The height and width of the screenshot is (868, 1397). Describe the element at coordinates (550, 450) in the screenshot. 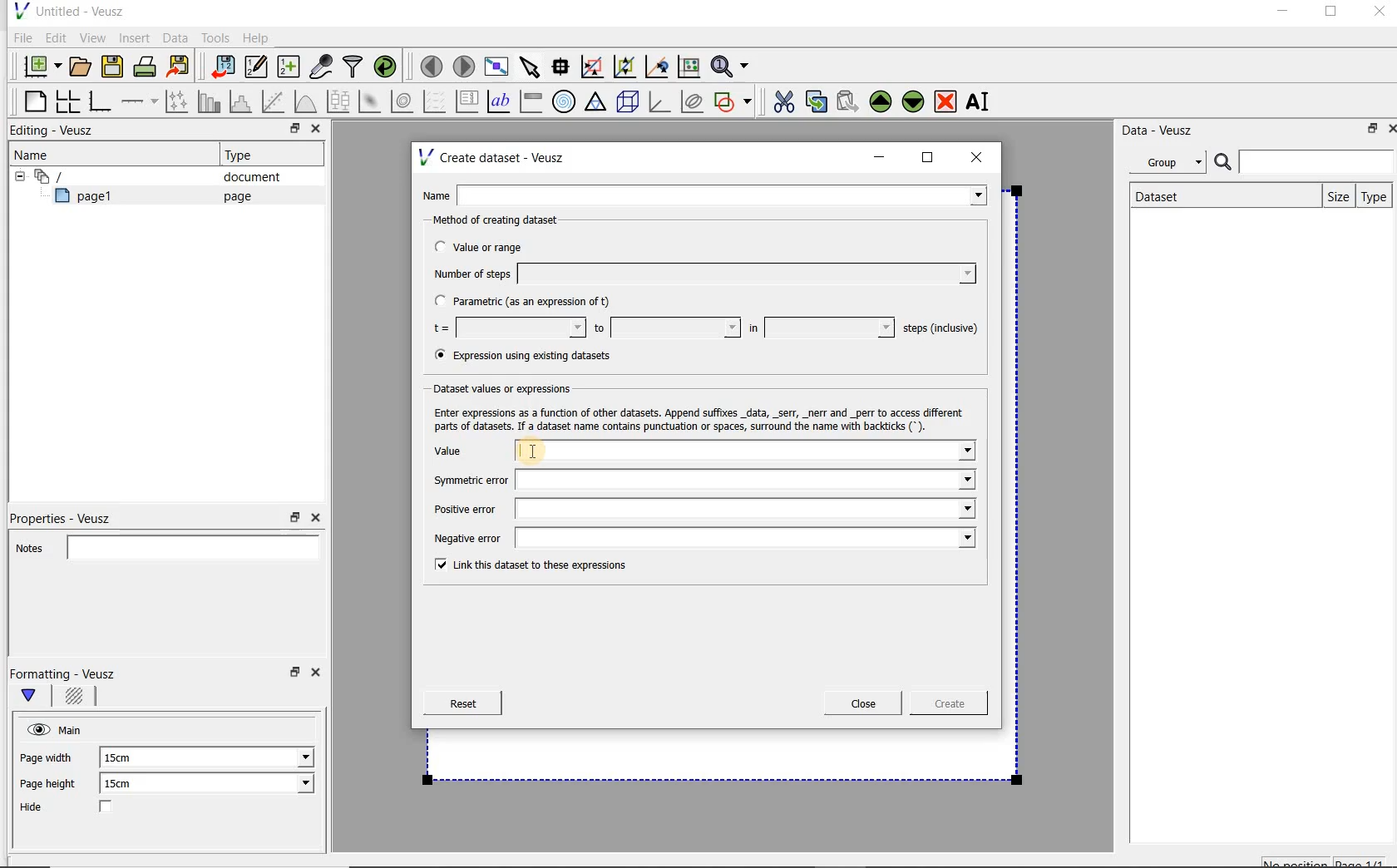

I see `Cursor` at that location.